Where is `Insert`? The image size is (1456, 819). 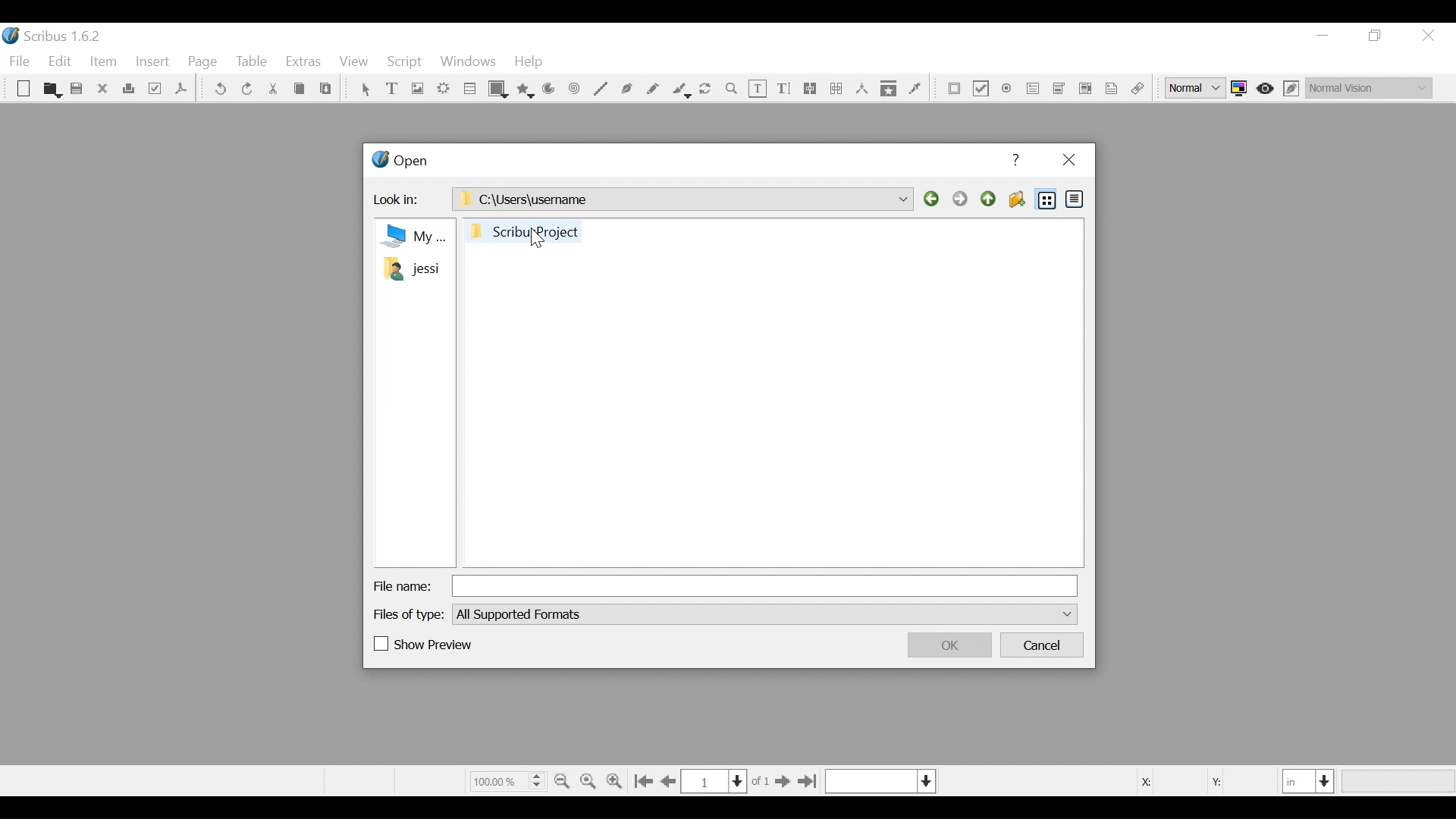 Insert is located at coordinates (153, 64).